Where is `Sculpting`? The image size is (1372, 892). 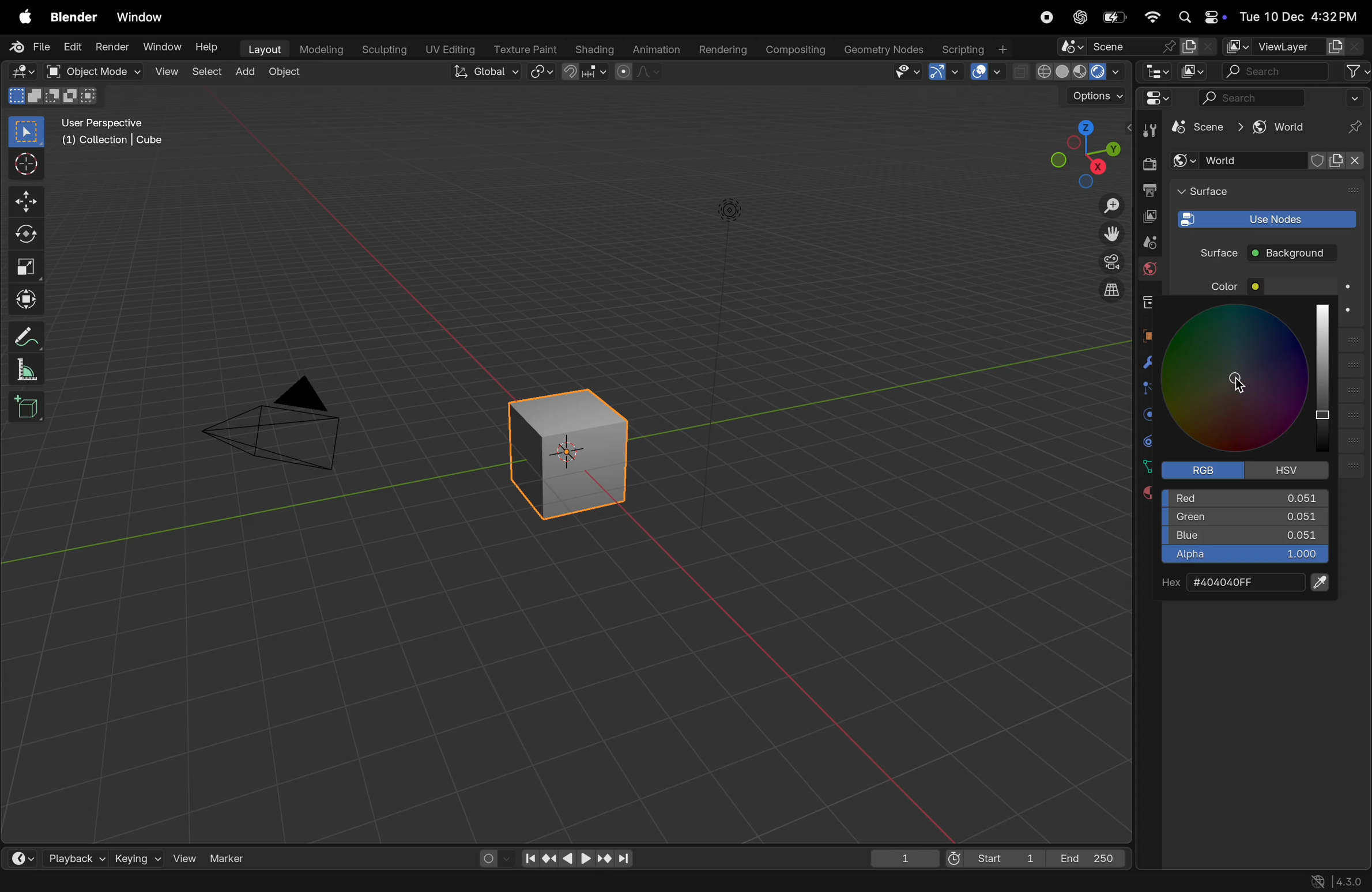 Sculpting is located at coordinates (381, 50).